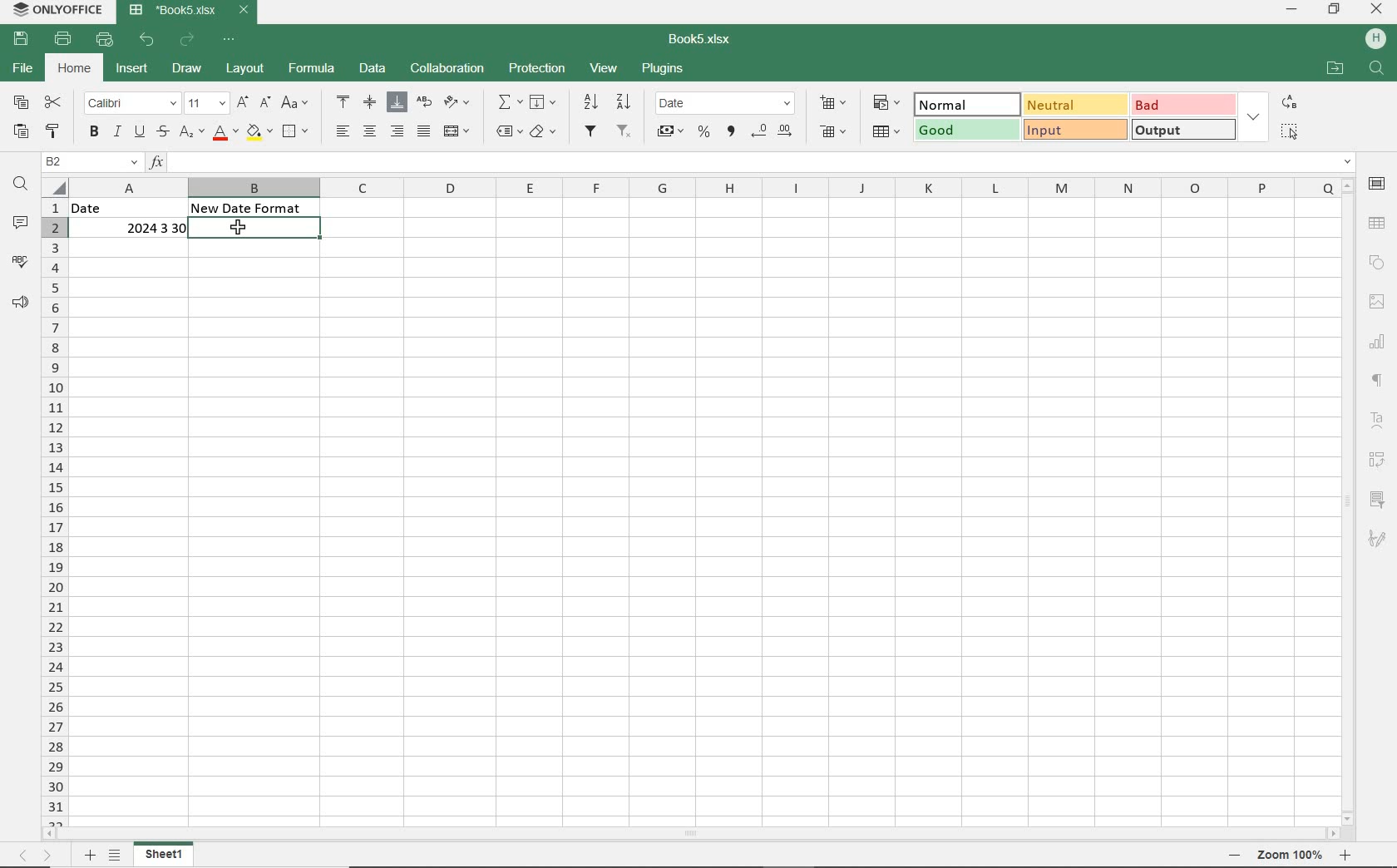  I want to click on ALIGN BOTTOM, so click(397, 102).